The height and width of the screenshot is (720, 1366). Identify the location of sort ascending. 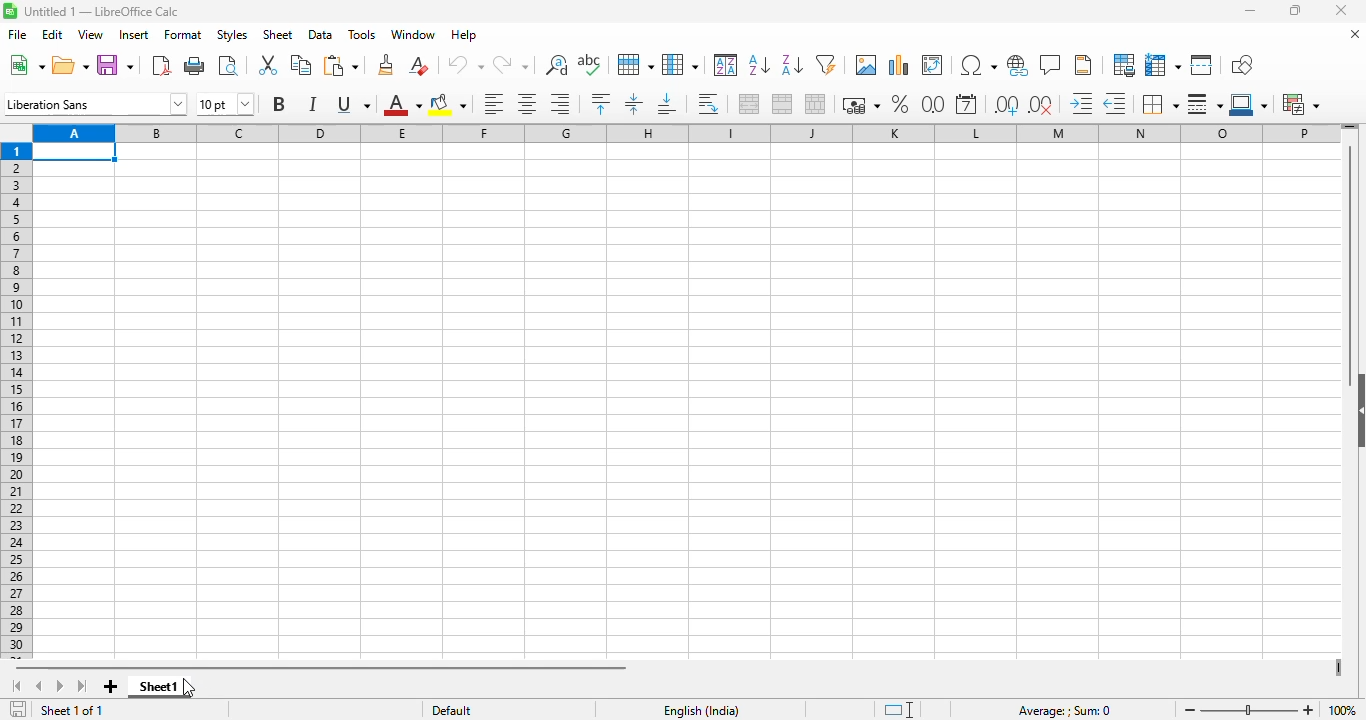
(759, 64).